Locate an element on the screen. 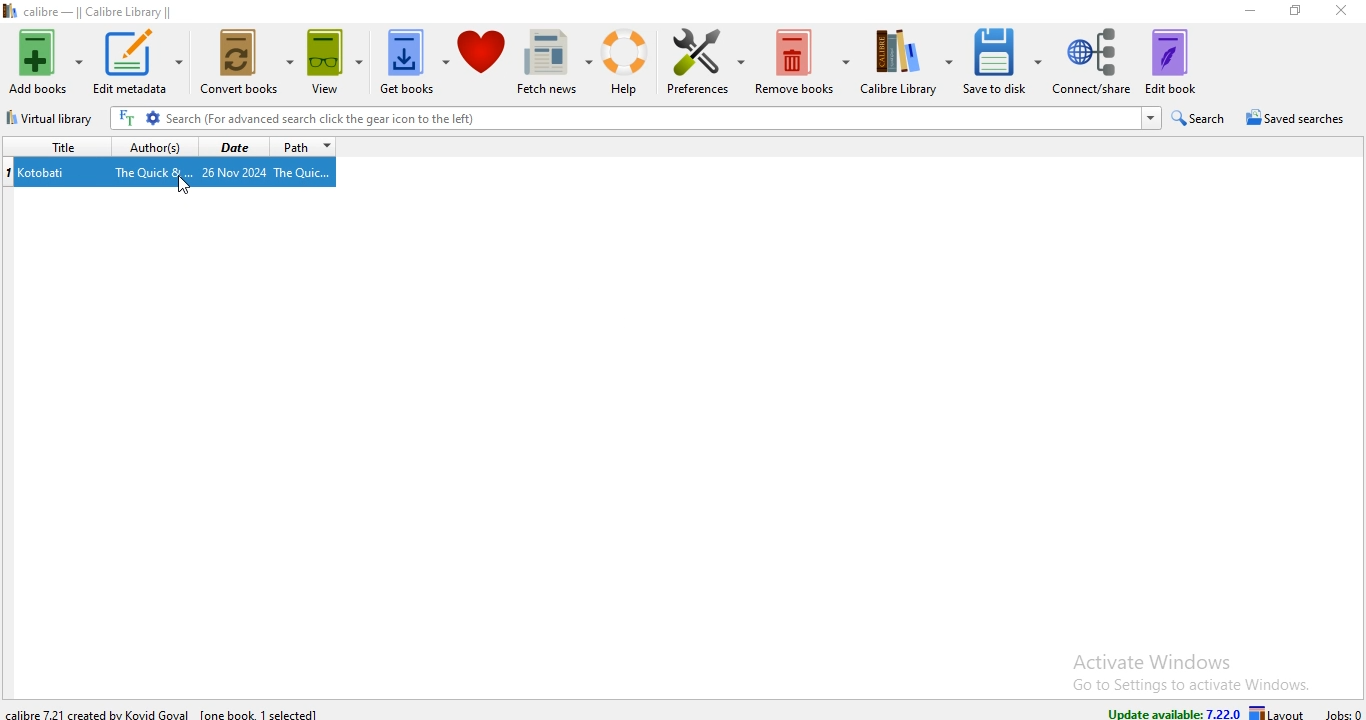 This screenshot has height=720, width=1366. help is located at coordinates (624, 61).